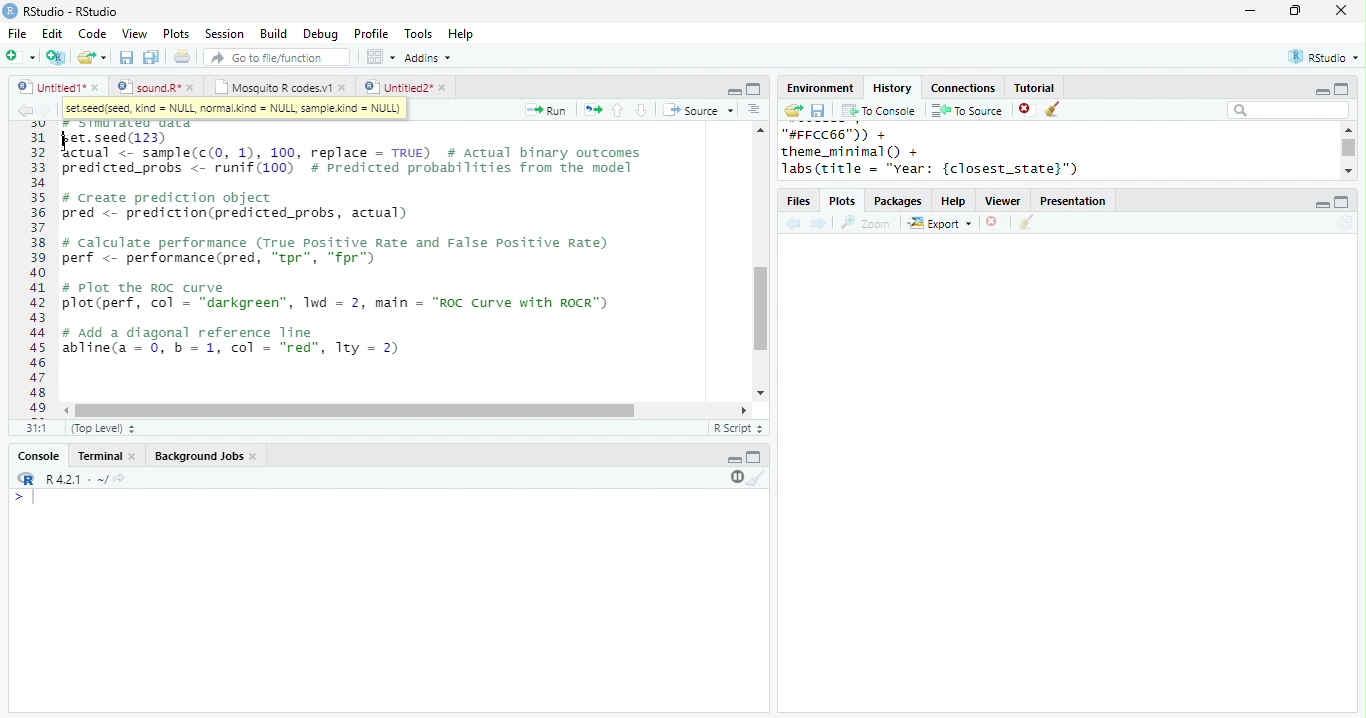  Describe the element at coordinates (428, 58) in the screenshot. I see `Addins` at that location.